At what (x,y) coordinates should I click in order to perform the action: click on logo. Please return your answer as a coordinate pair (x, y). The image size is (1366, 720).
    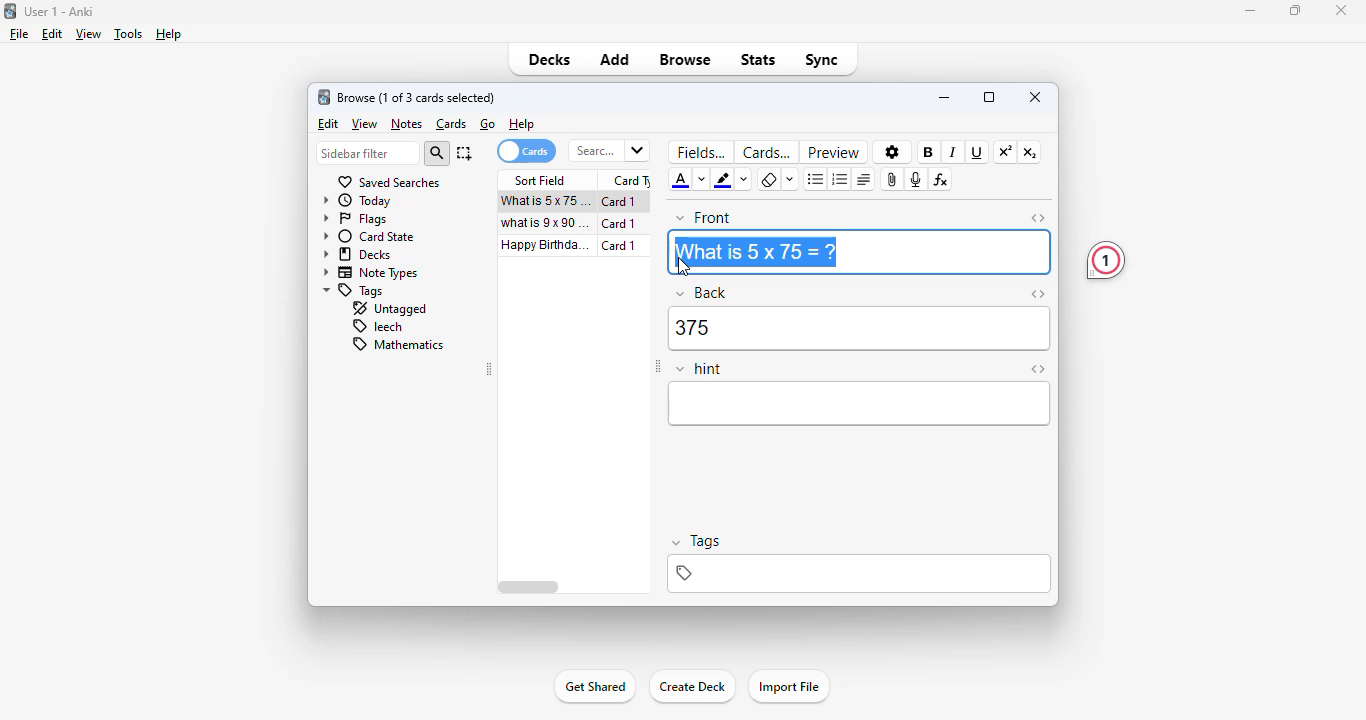
    Looking at the image, I should click on (10, 11).